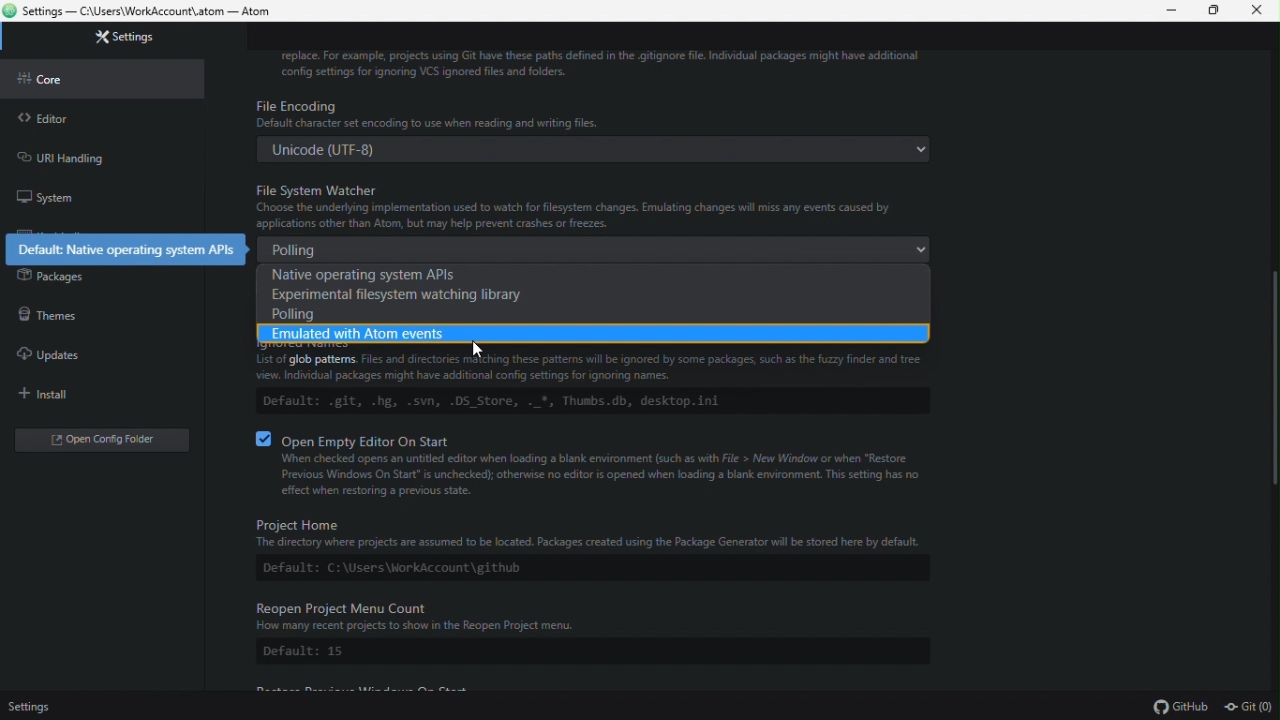 This screenshot has height=720, width=1280. Describe the element at coordinates (94, 394) in the screenshot. I see `Install` at that location.